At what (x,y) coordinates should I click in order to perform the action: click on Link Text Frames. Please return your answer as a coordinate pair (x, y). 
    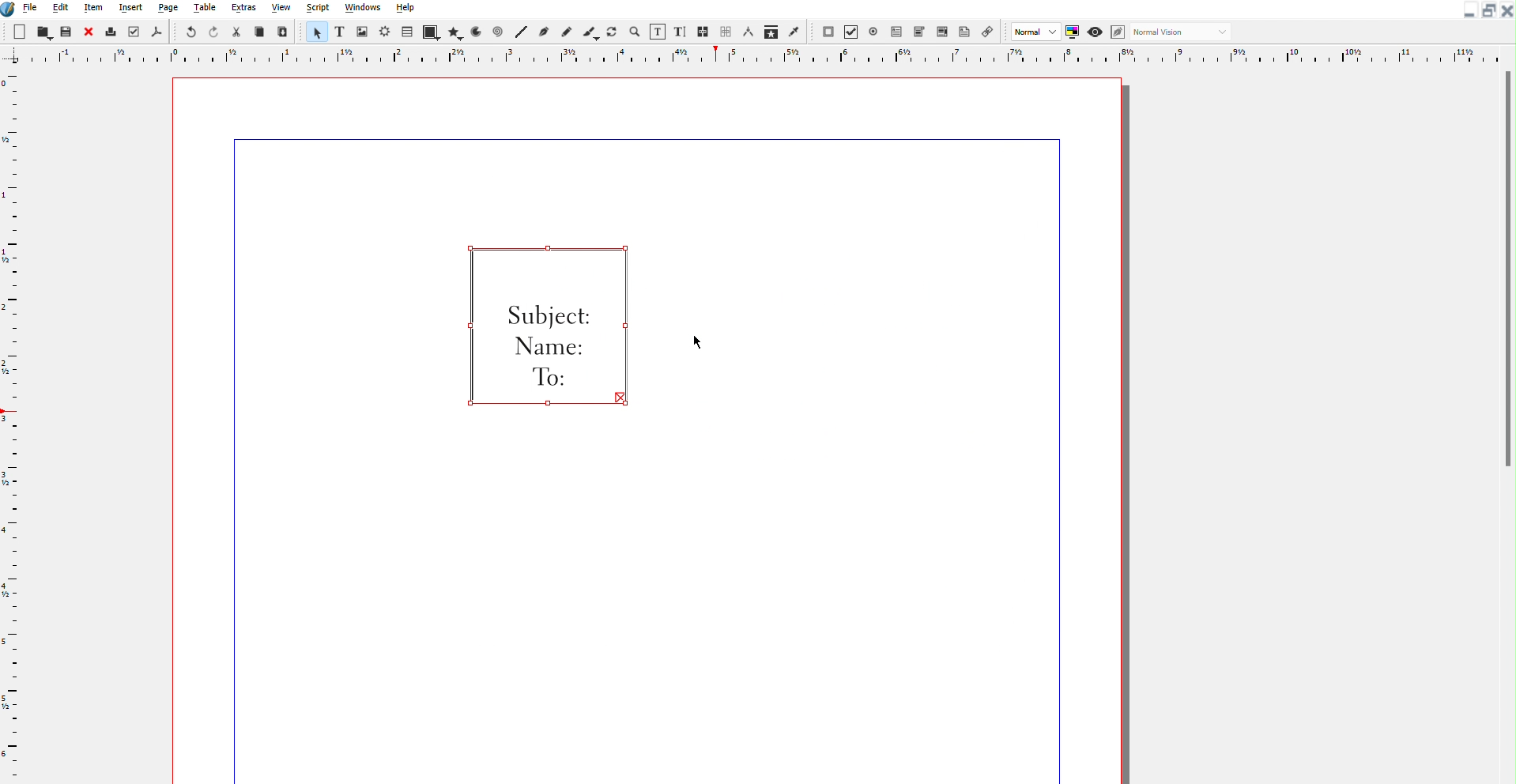
    Looking at the image, I should click on (715, 31).